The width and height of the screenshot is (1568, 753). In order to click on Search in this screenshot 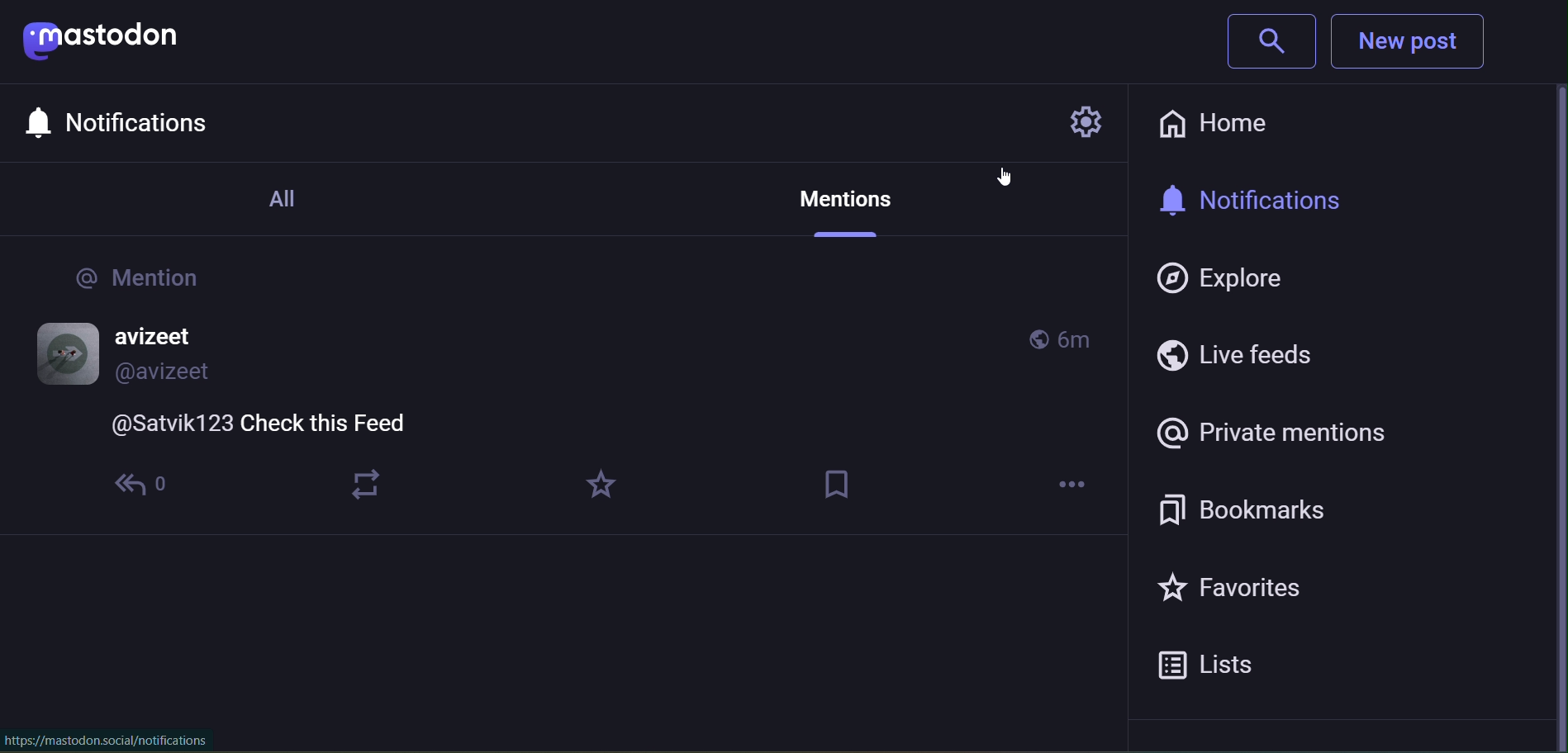, I will do `click(1271, 40)`.